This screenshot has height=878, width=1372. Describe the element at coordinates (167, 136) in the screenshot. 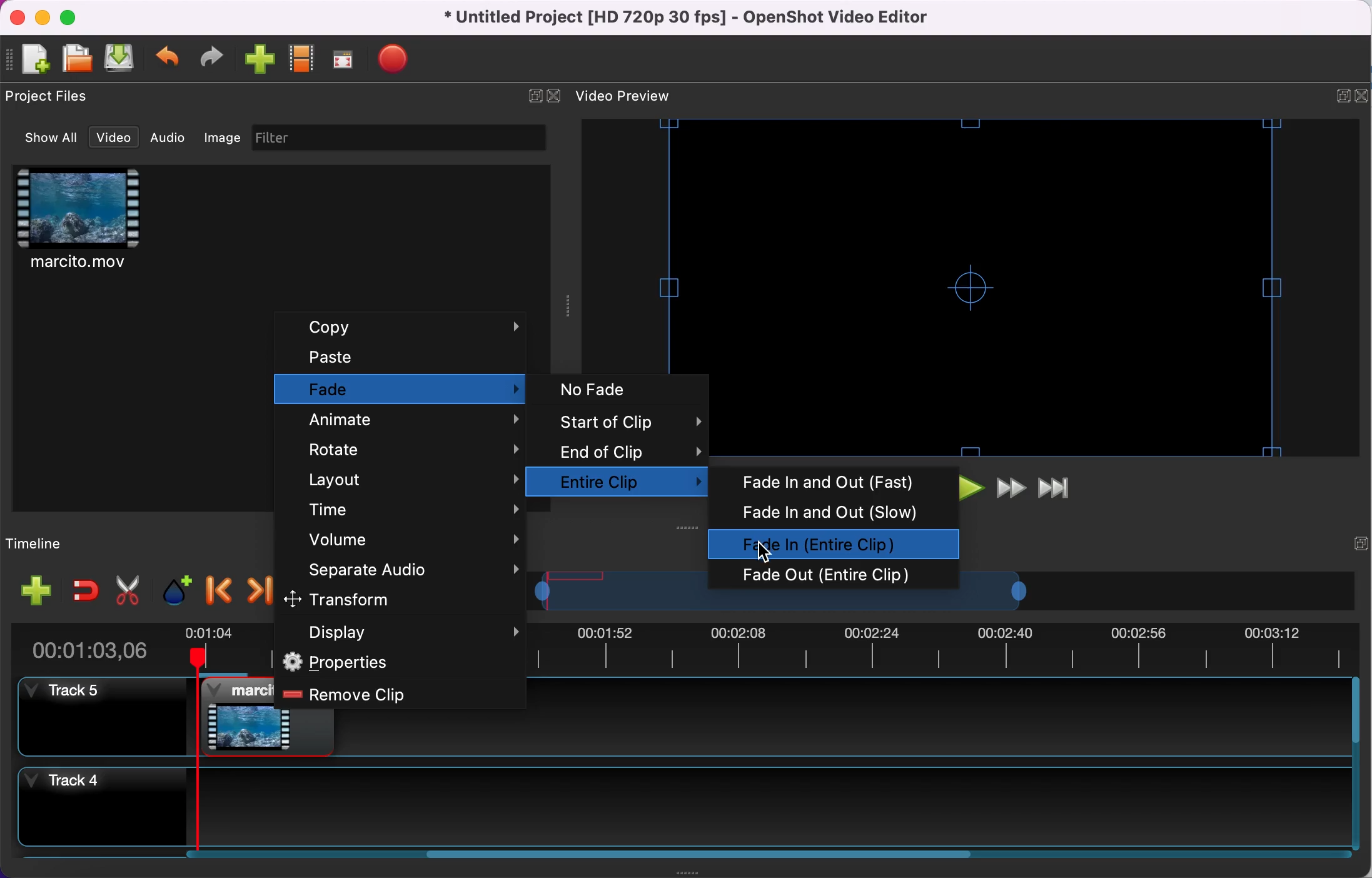

I see `audio` at that location.